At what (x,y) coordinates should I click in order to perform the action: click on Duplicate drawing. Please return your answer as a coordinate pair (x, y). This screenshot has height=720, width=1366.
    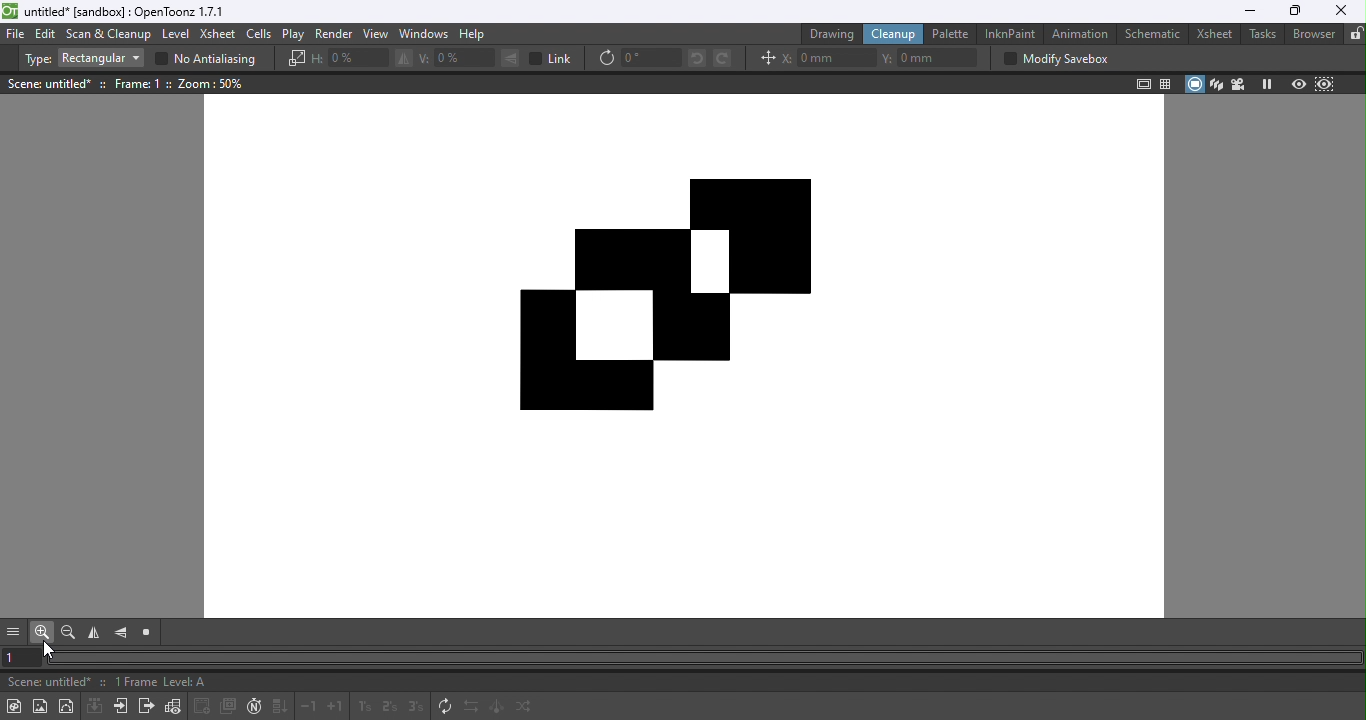
    Looking at the image, I should click on (230, 707).